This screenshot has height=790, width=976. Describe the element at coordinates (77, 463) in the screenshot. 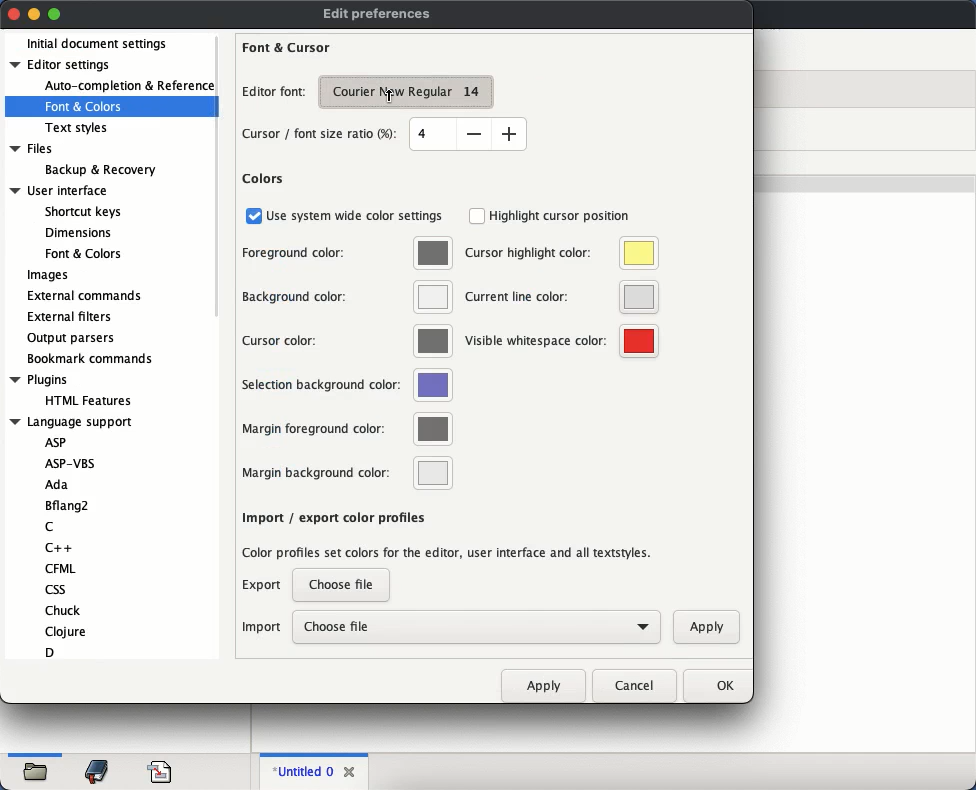

I see `ASP-VBS` at that location.